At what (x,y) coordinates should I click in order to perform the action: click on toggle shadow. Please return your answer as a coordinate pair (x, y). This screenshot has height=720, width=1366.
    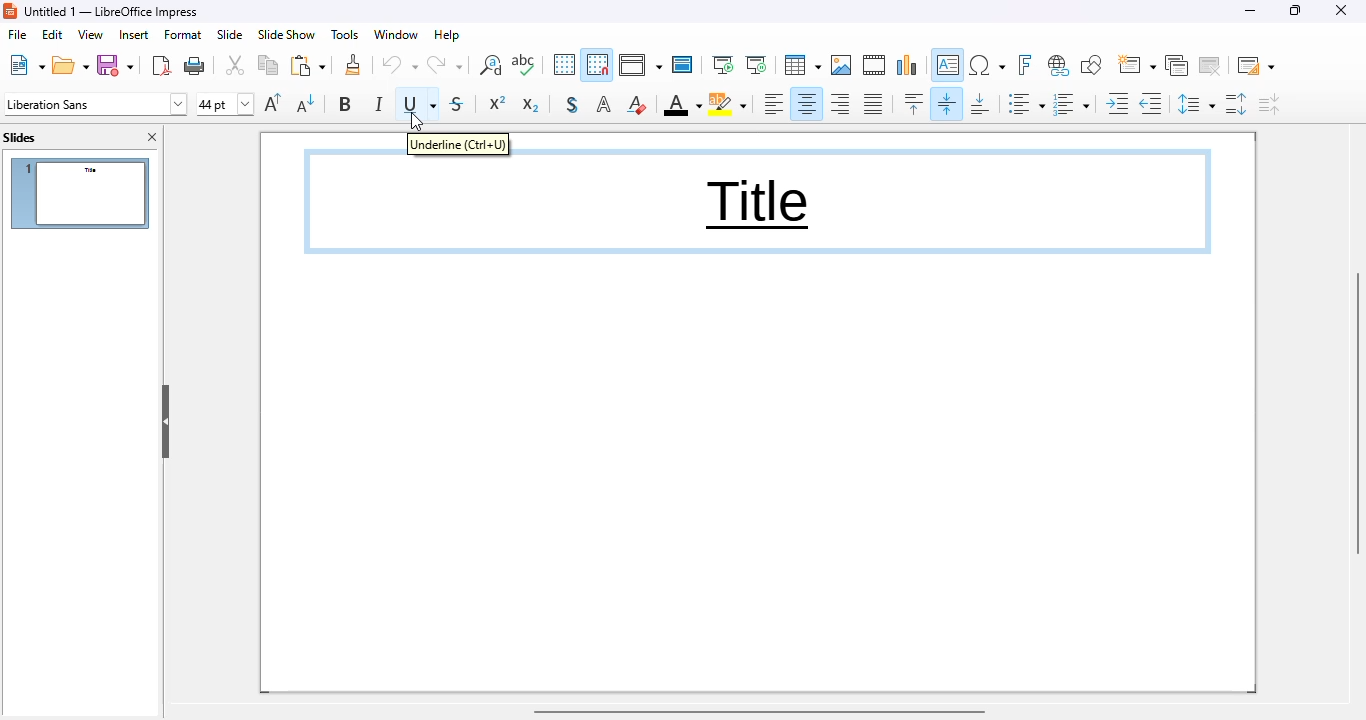
    Looking at the image, I should click on (572, 105).